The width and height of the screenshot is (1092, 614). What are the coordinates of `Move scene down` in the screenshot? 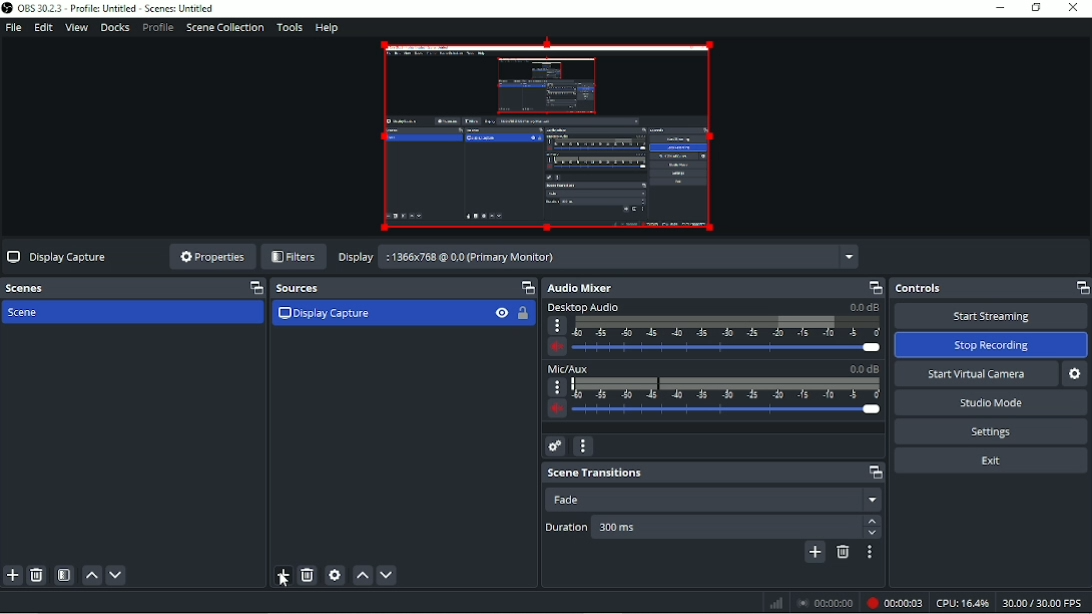 It's located at (116, 577).